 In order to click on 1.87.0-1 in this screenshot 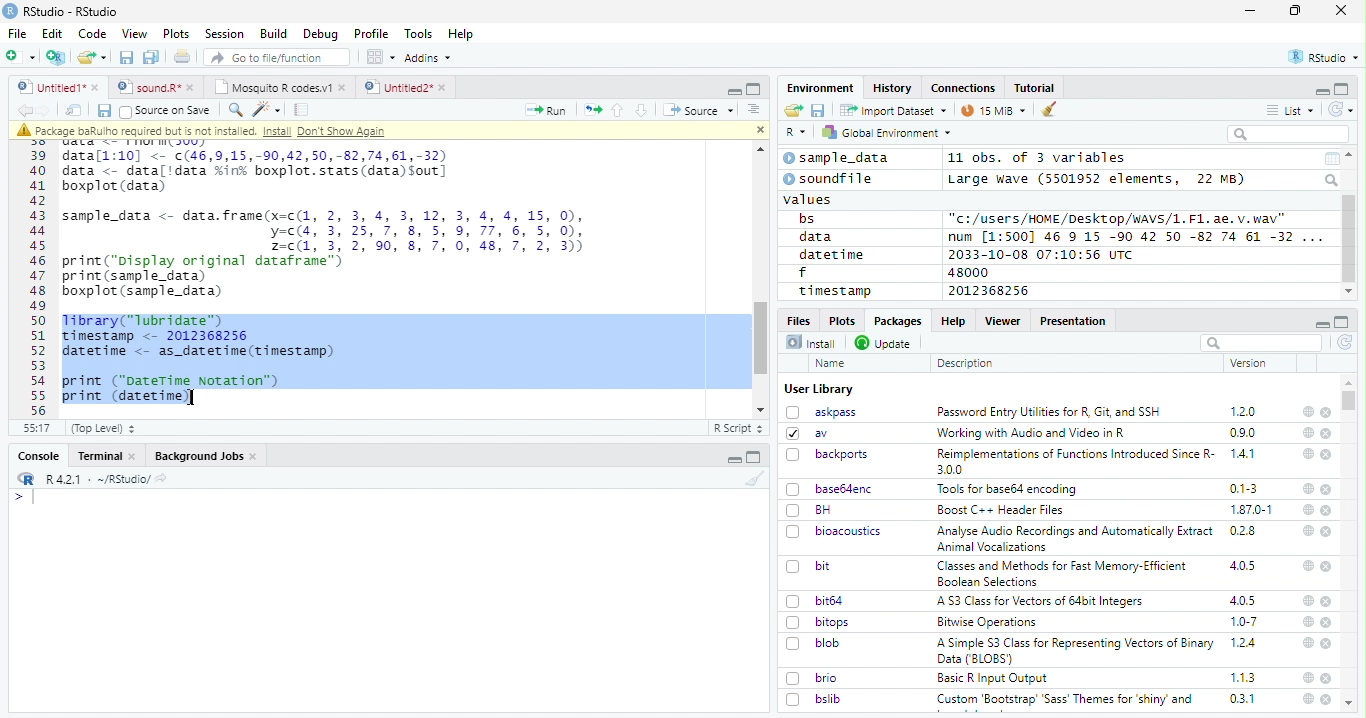, I will do `click(1251, 510)`.